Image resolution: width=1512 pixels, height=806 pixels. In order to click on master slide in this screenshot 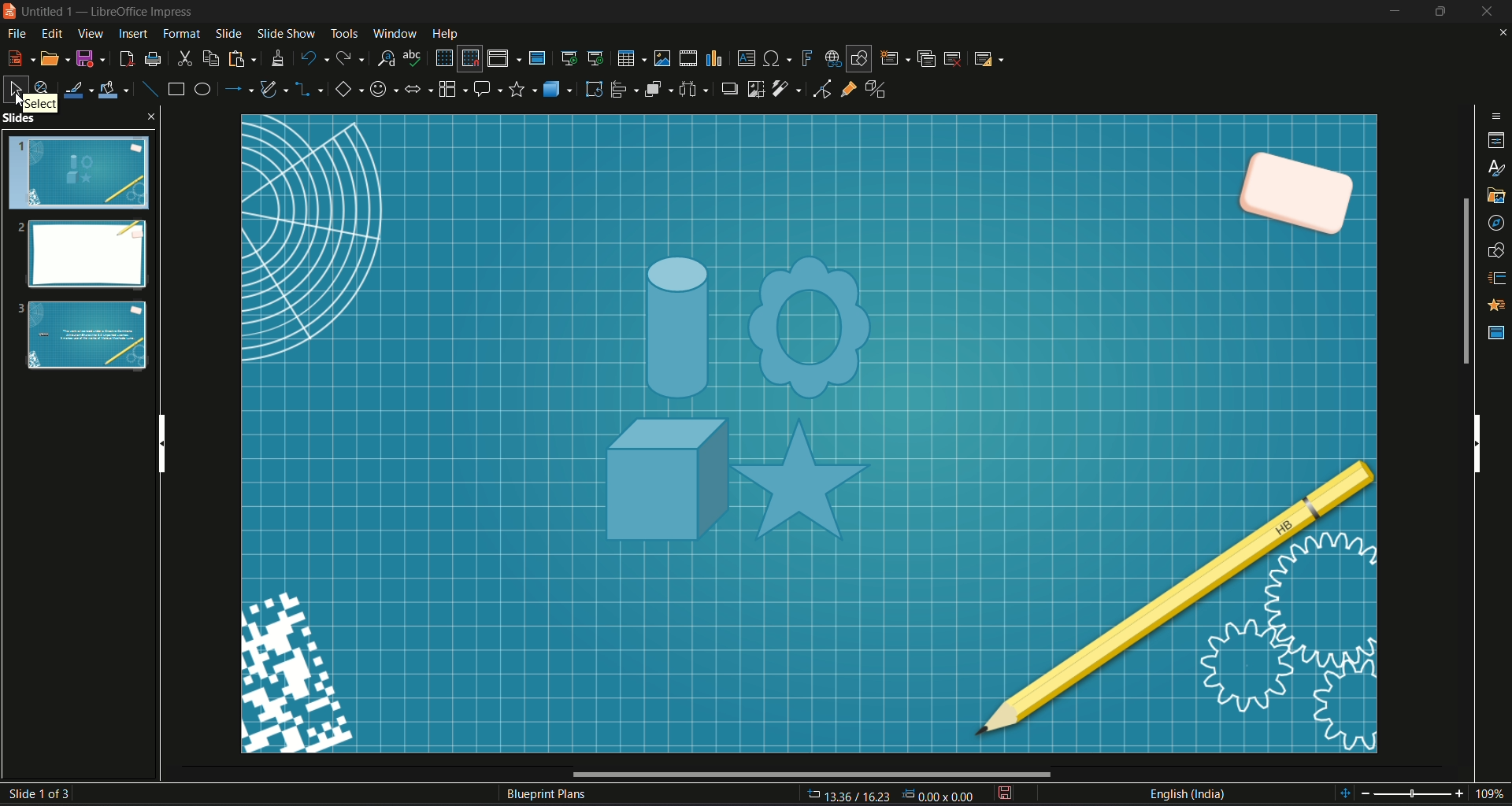, I will do `click(1497, 333)`.